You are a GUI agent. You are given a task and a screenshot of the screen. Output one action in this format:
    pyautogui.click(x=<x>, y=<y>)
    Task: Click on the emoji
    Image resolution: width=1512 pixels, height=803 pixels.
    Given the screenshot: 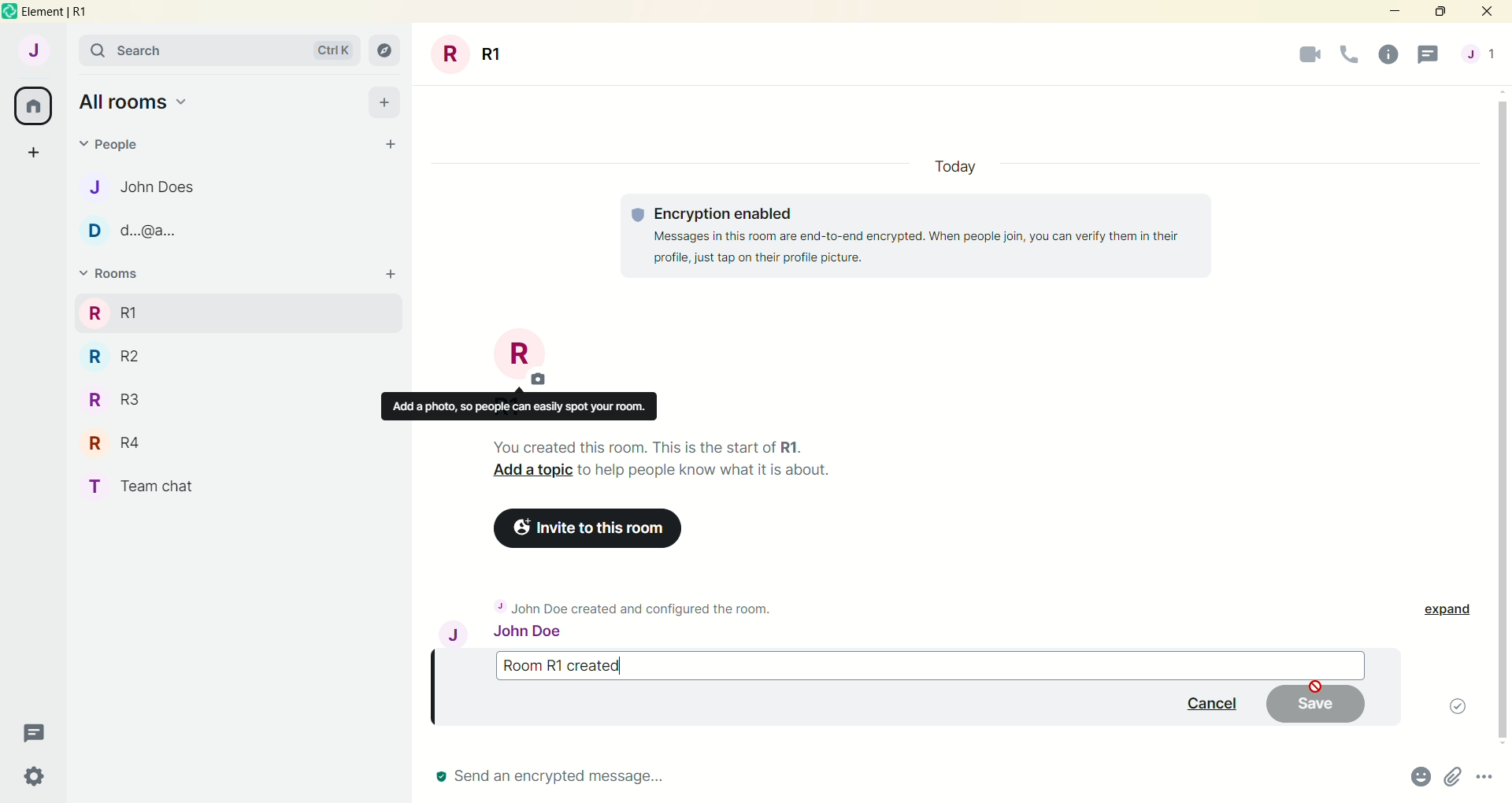 What is the action you would take?
    pyautogui.click(x=1418, y=779)
    